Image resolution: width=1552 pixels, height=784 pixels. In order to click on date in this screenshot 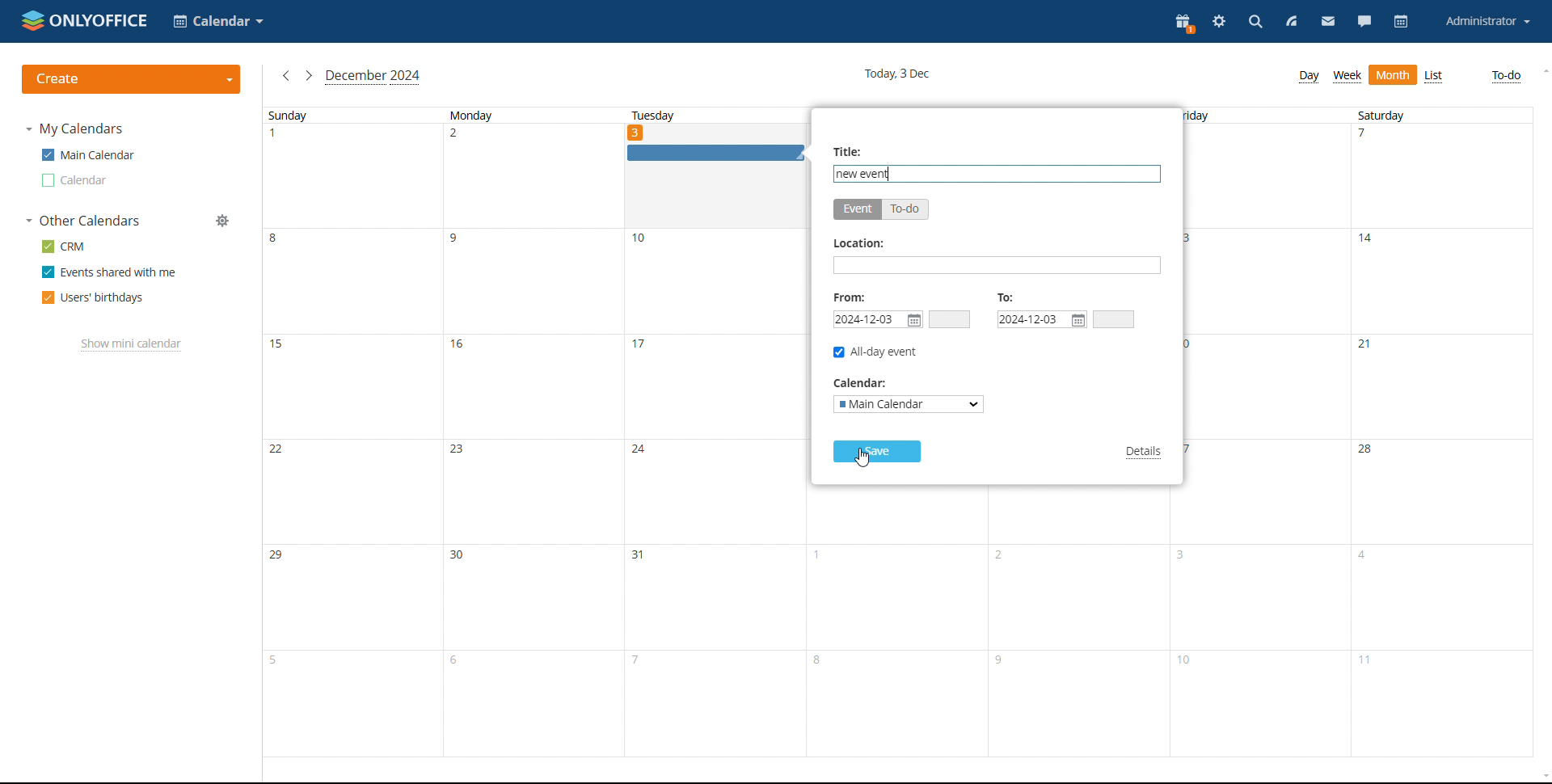, I will do `click(636, 133)`.